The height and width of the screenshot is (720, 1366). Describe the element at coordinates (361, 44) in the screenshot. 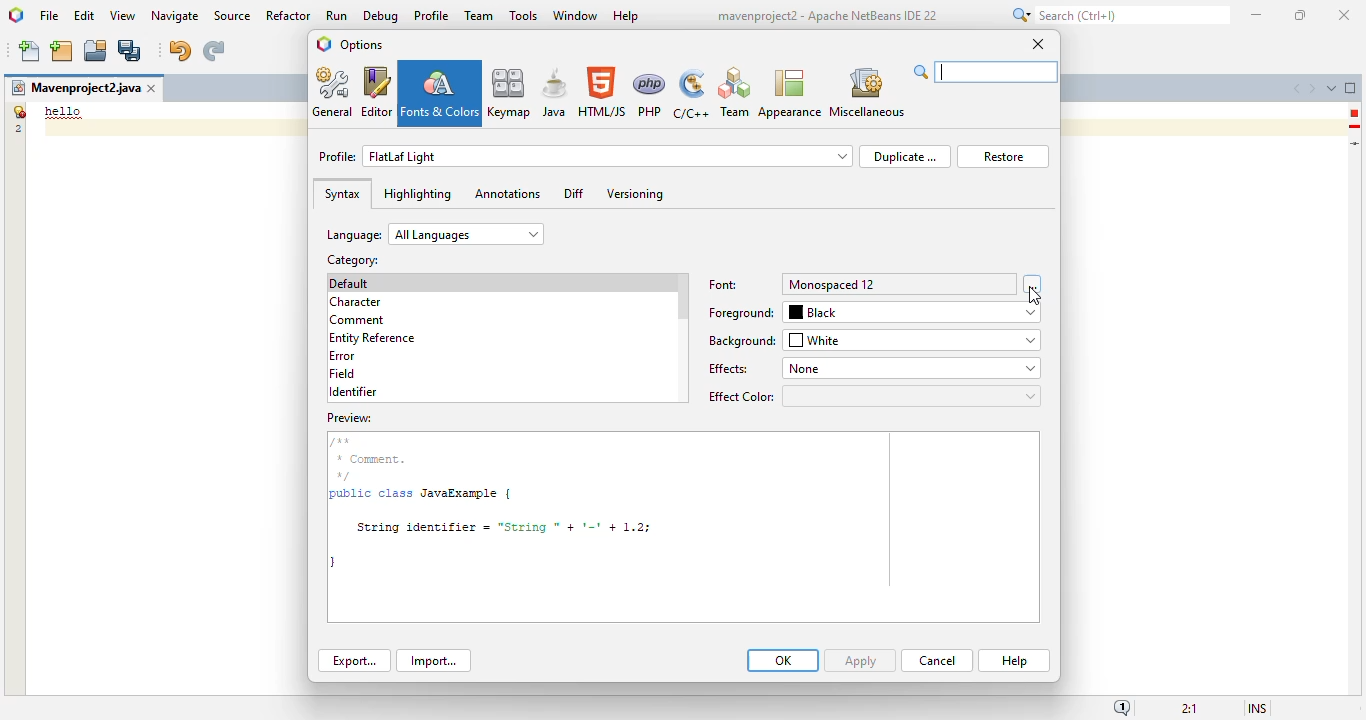

I see `options` at that location.